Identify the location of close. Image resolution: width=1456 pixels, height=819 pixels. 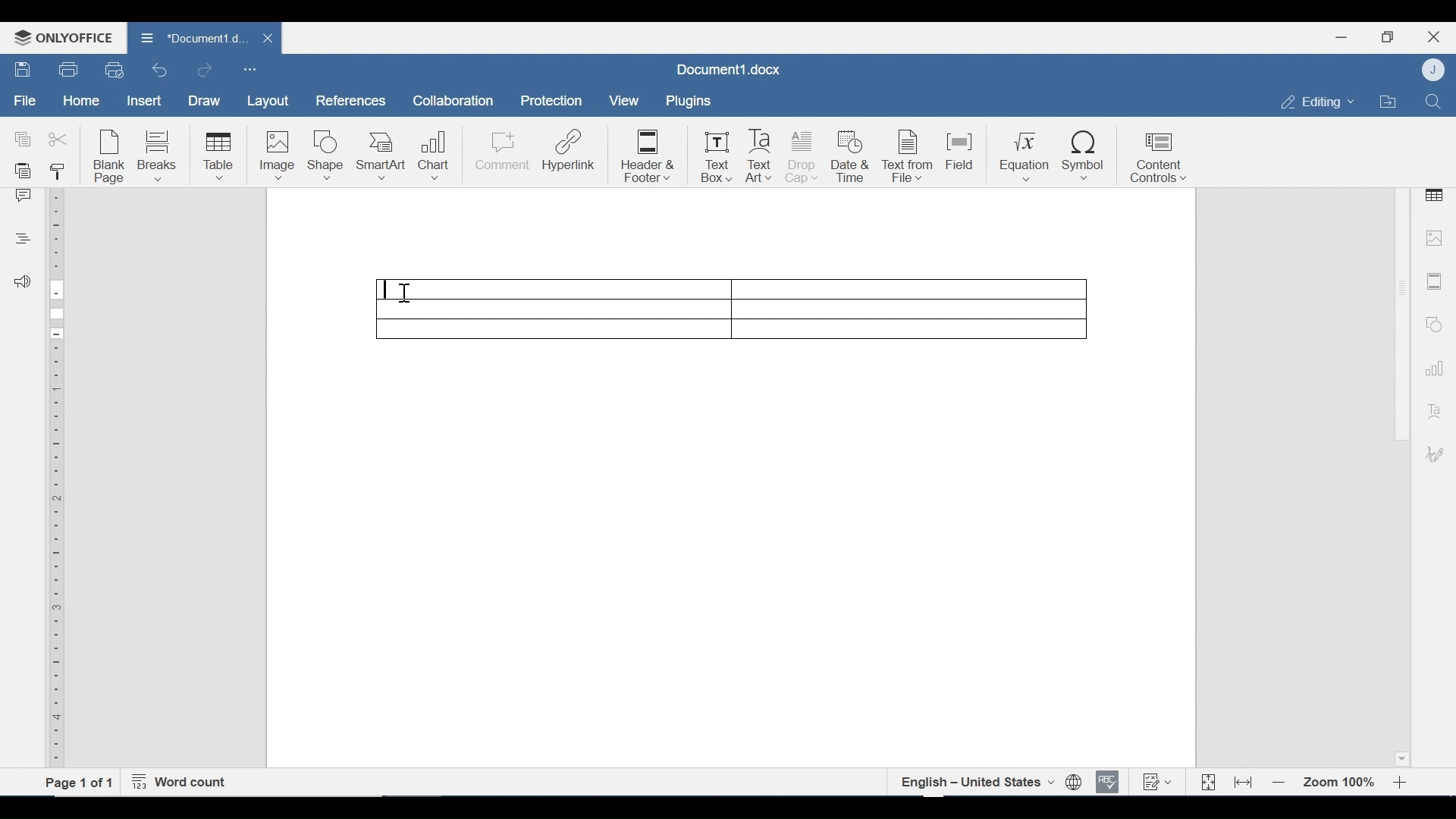
(270, 37).